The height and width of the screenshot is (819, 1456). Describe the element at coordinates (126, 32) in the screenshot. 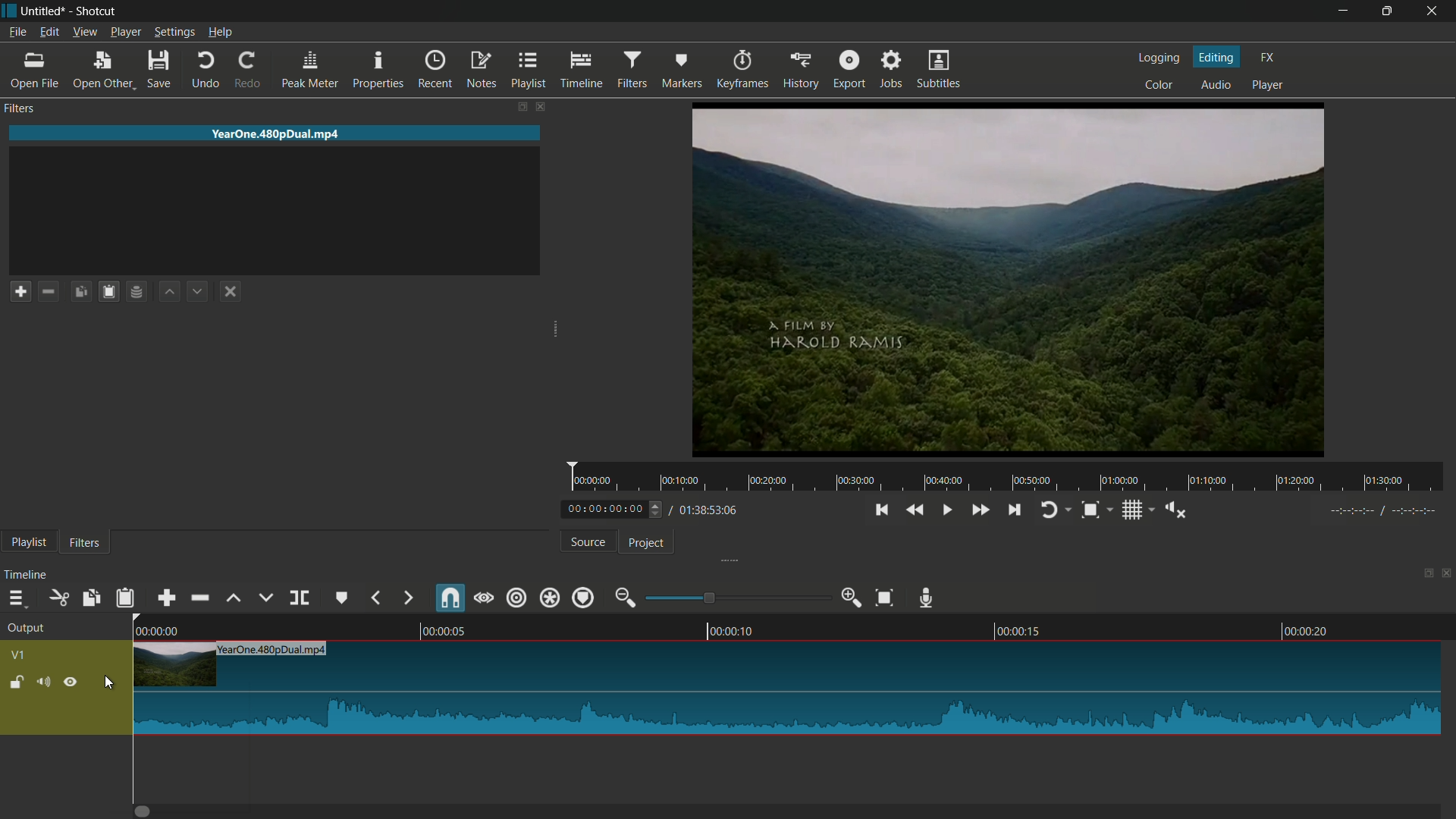

I see `player menu` at that location.